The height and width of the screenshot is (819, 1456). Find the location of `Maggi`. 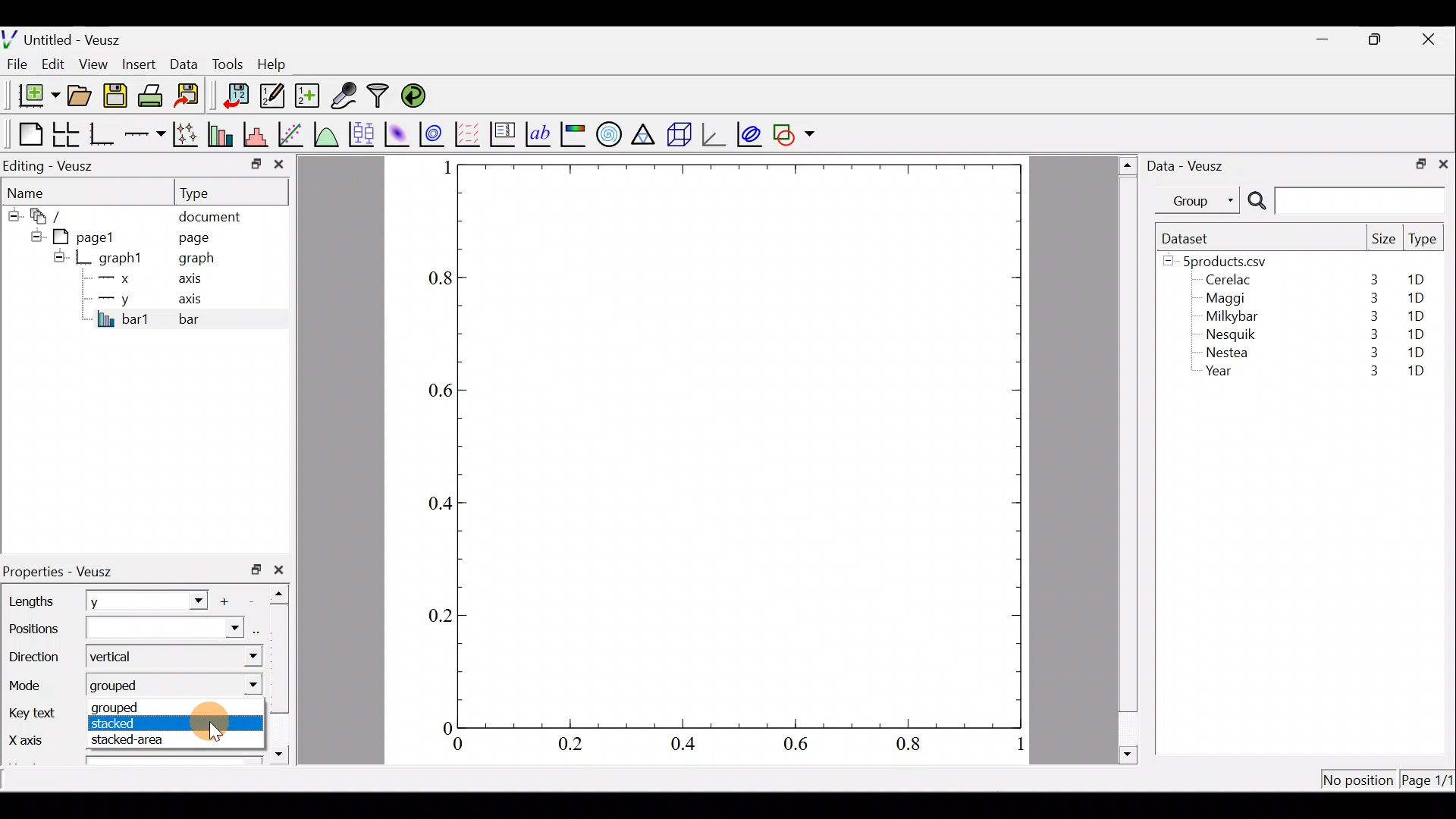

Maggi is located at coordinates (1227, 300).